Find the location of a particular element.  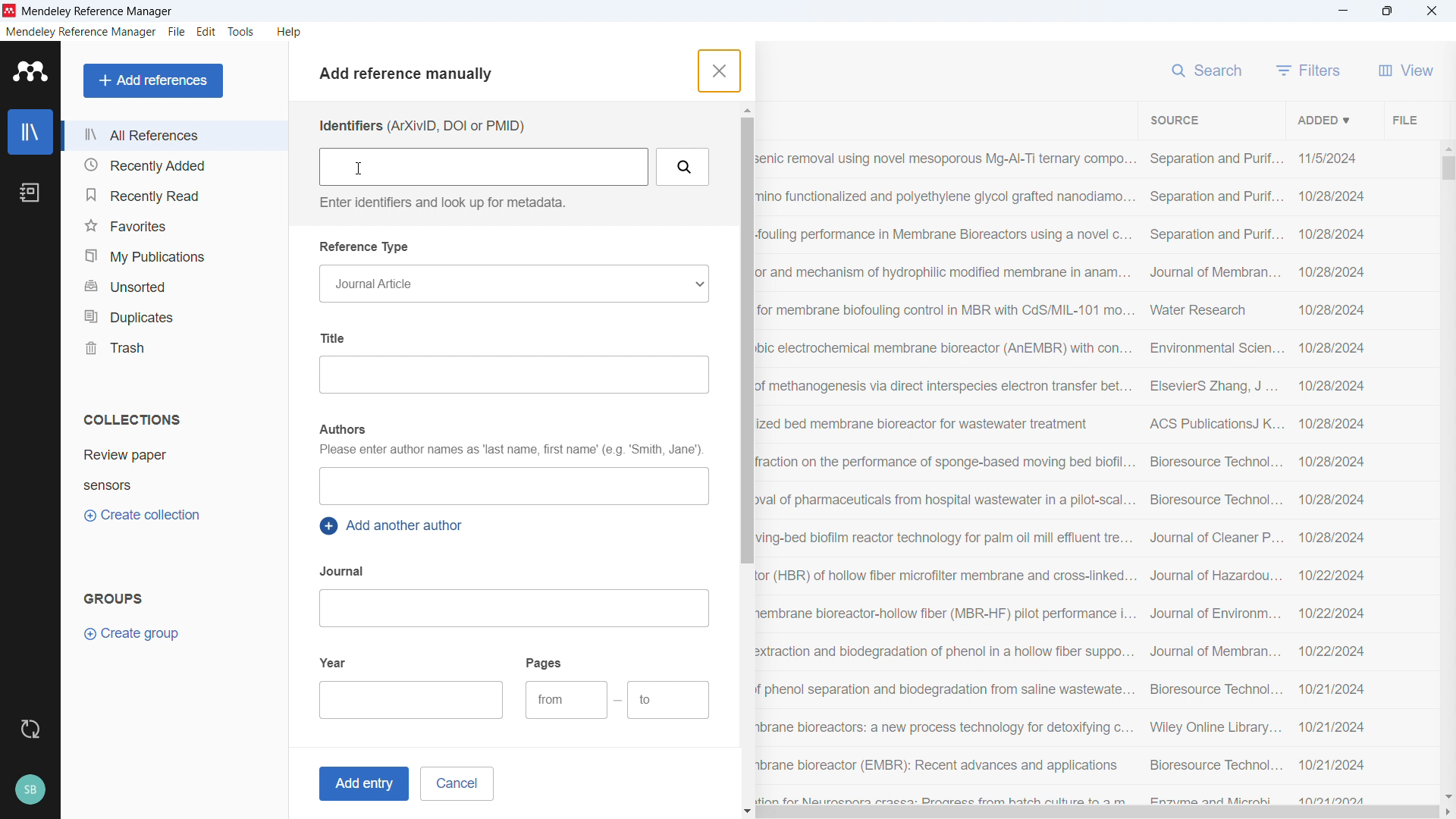

Reference type selection  is located at coordinates (513, 284).